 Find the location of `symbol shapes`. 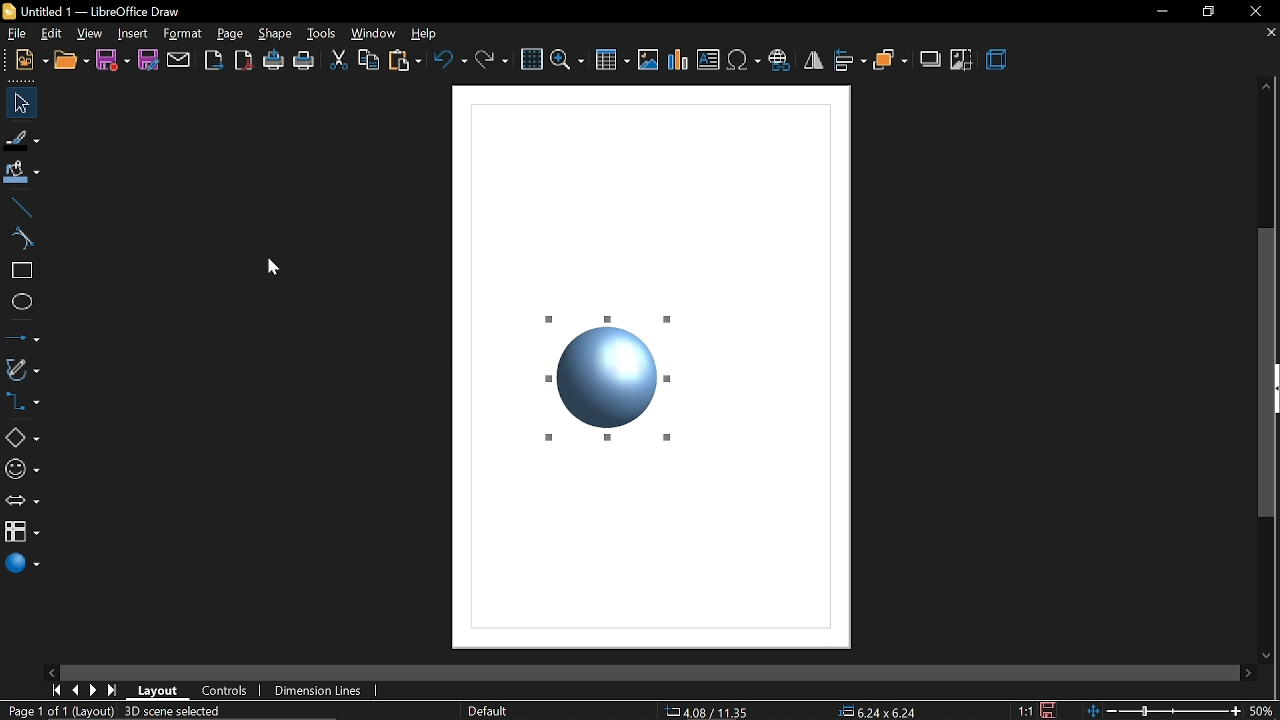

symbol shapes is located at coordinates (21, 469).